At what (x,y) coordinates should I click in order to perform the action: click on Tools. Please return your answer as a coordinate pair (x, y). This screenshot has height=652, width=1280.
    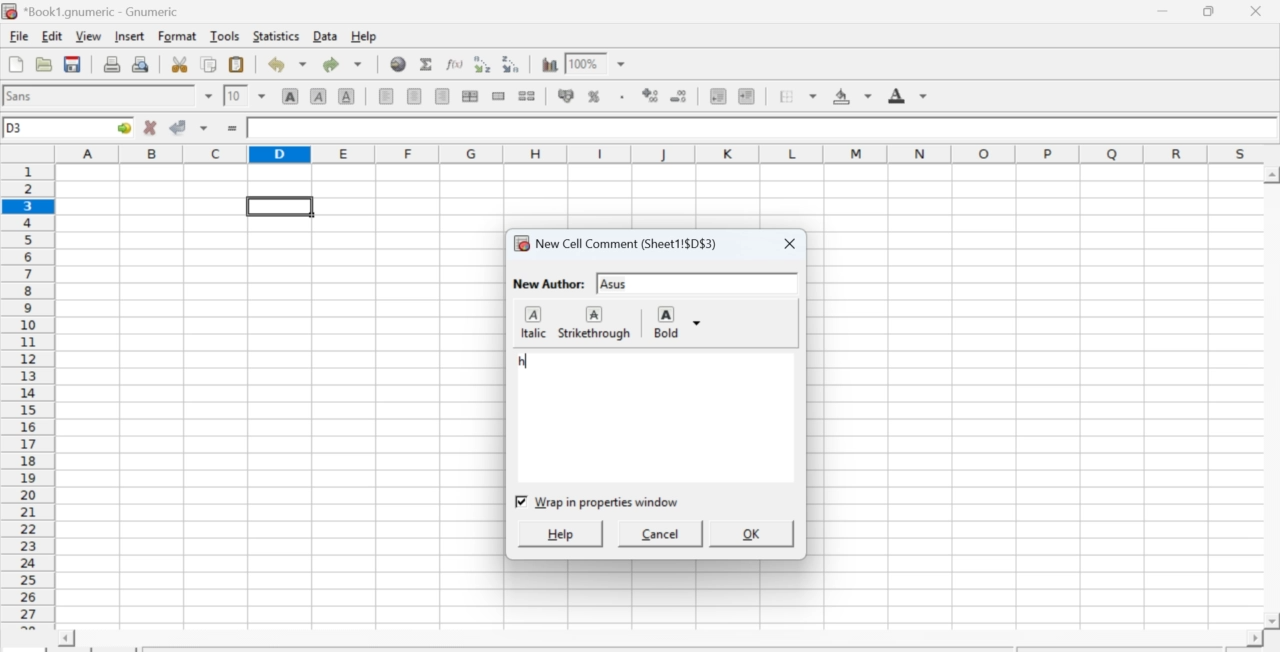
    Looking at the image, I should click on (227, 37).